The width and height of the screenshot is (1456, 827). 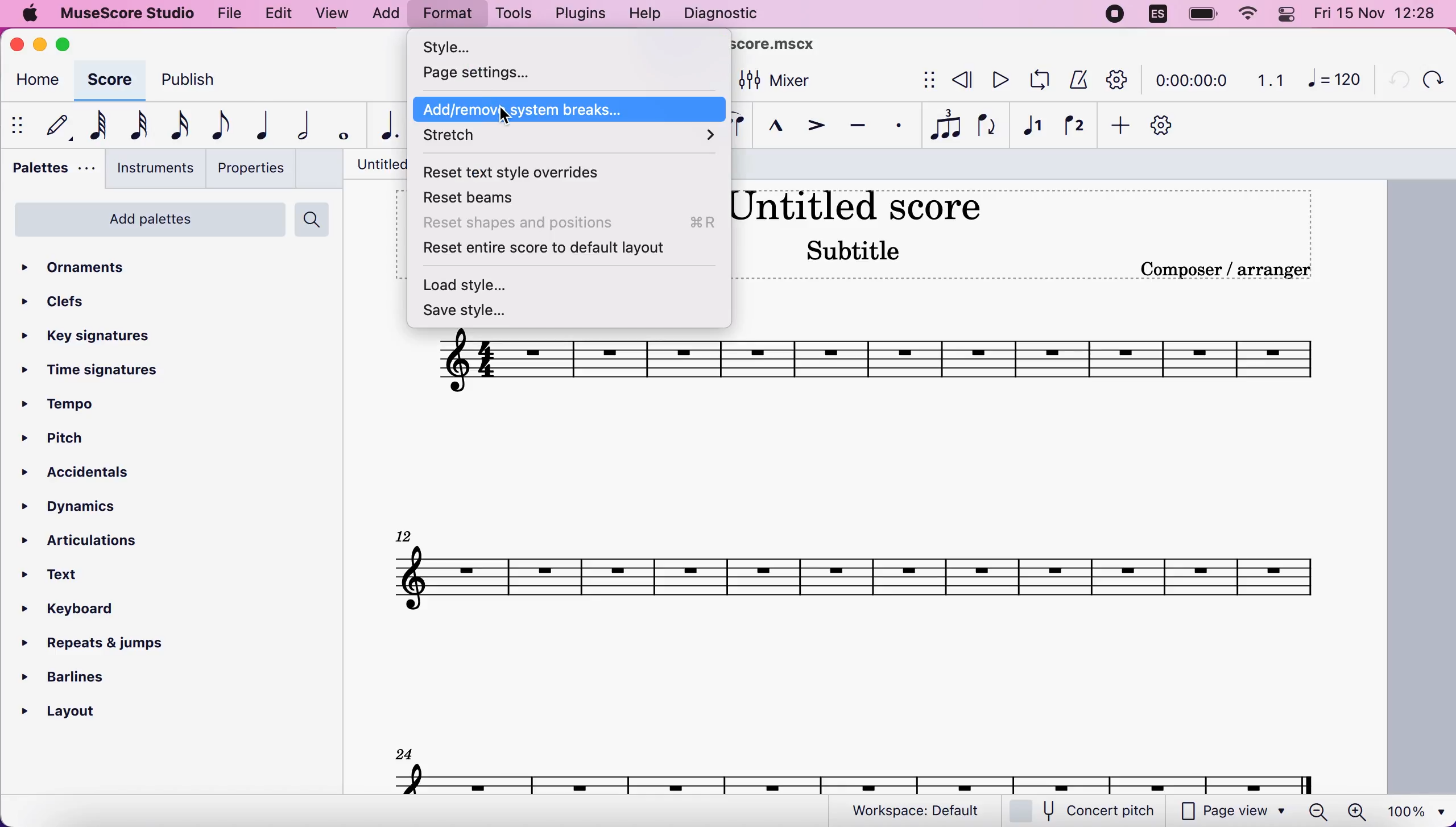 I want to click on text, so click(x=64, y=576).